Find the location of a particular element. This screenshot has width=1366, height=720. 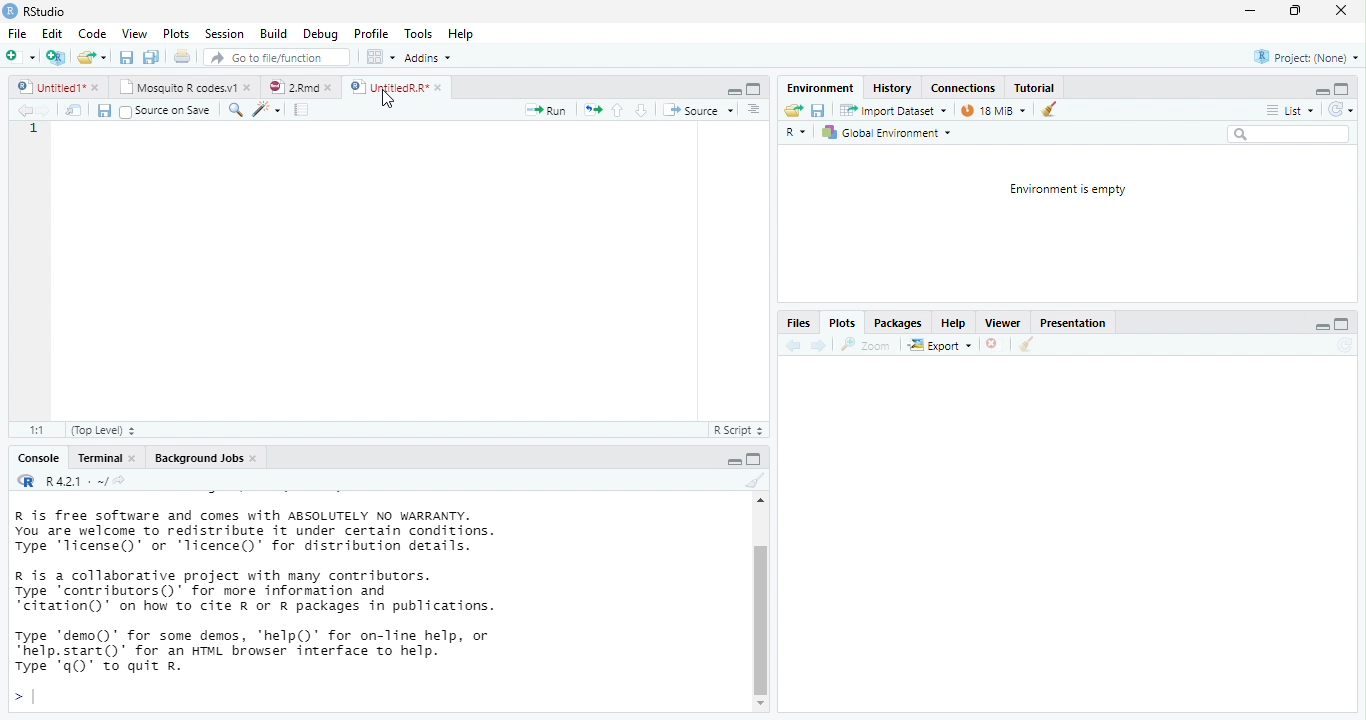

show in window is located at coordinates (75, 110).